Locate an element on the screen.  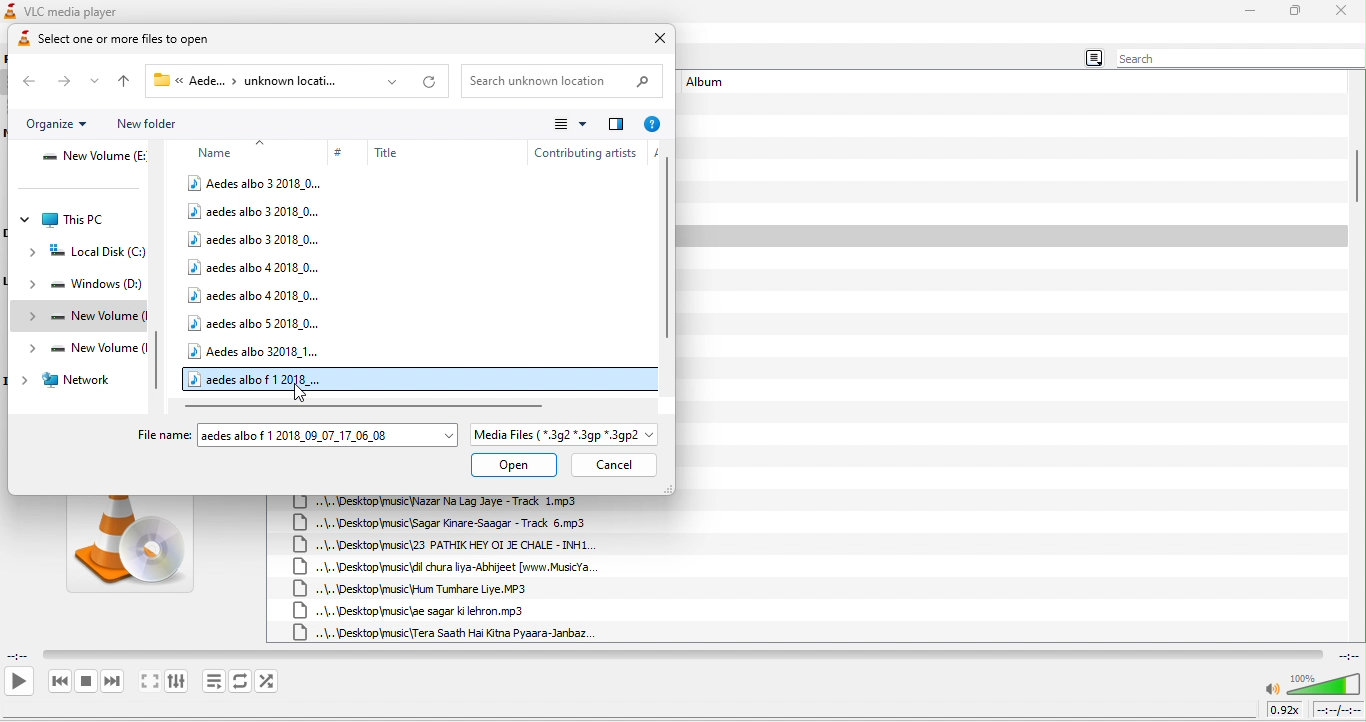
select one or more files to open is located at coordinates (140, 41).